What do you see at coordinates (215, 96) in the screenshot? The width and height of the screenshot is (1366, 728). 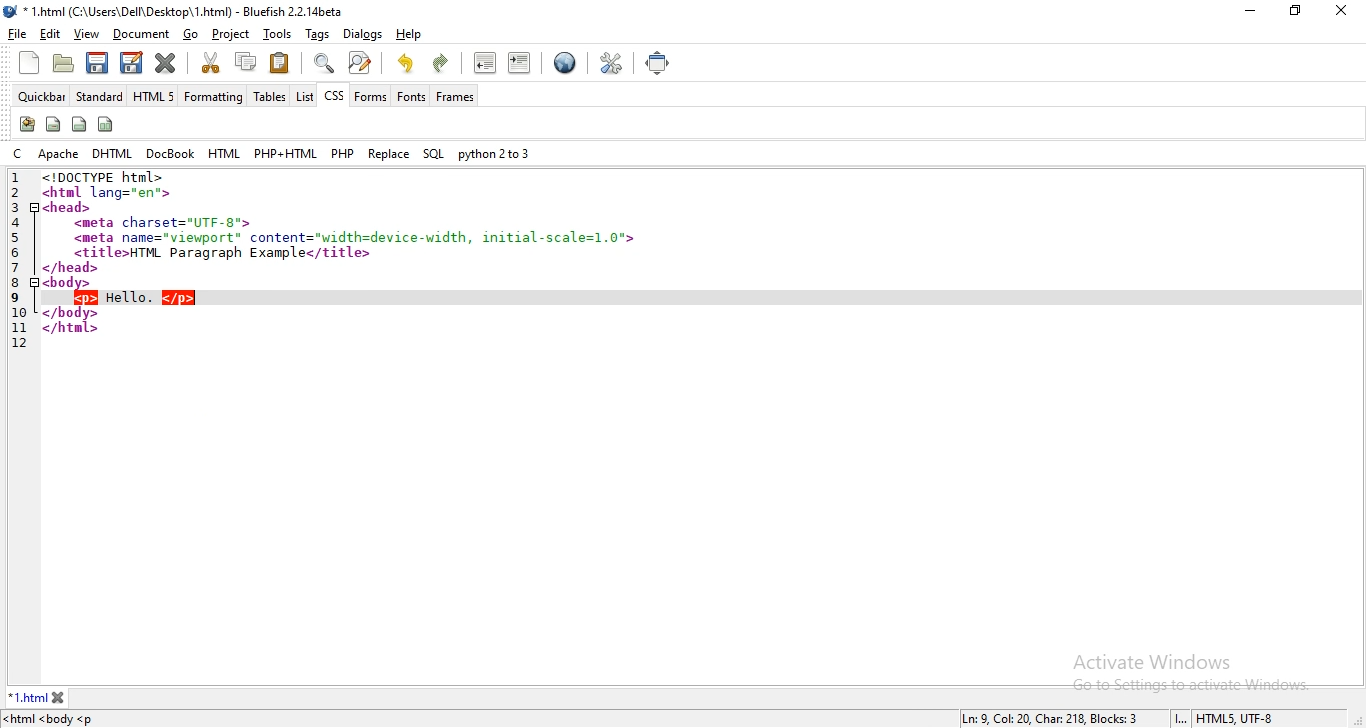 I see `formatting` at bounding box center [215, 96].